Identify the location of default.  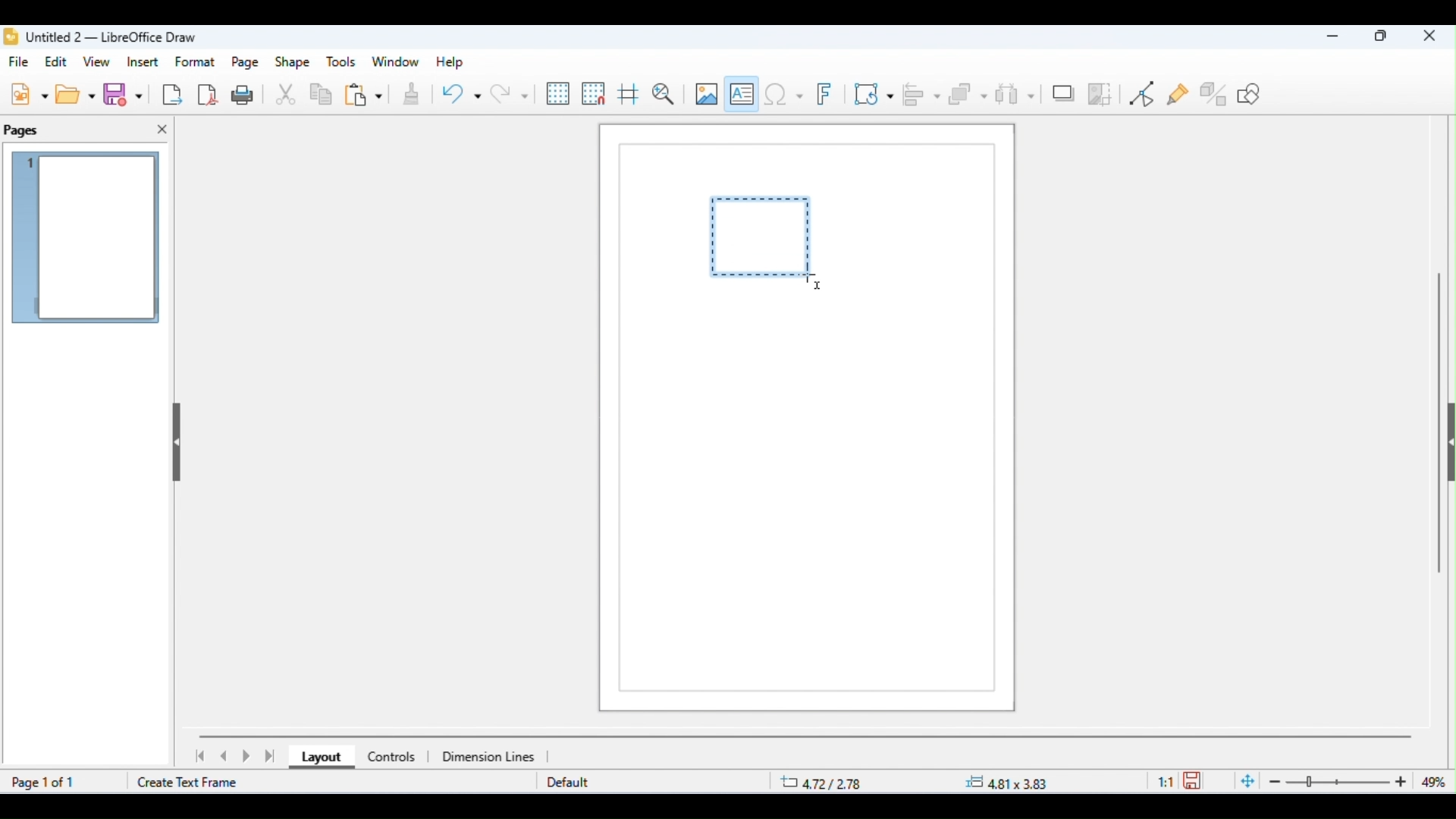
(568, 783).